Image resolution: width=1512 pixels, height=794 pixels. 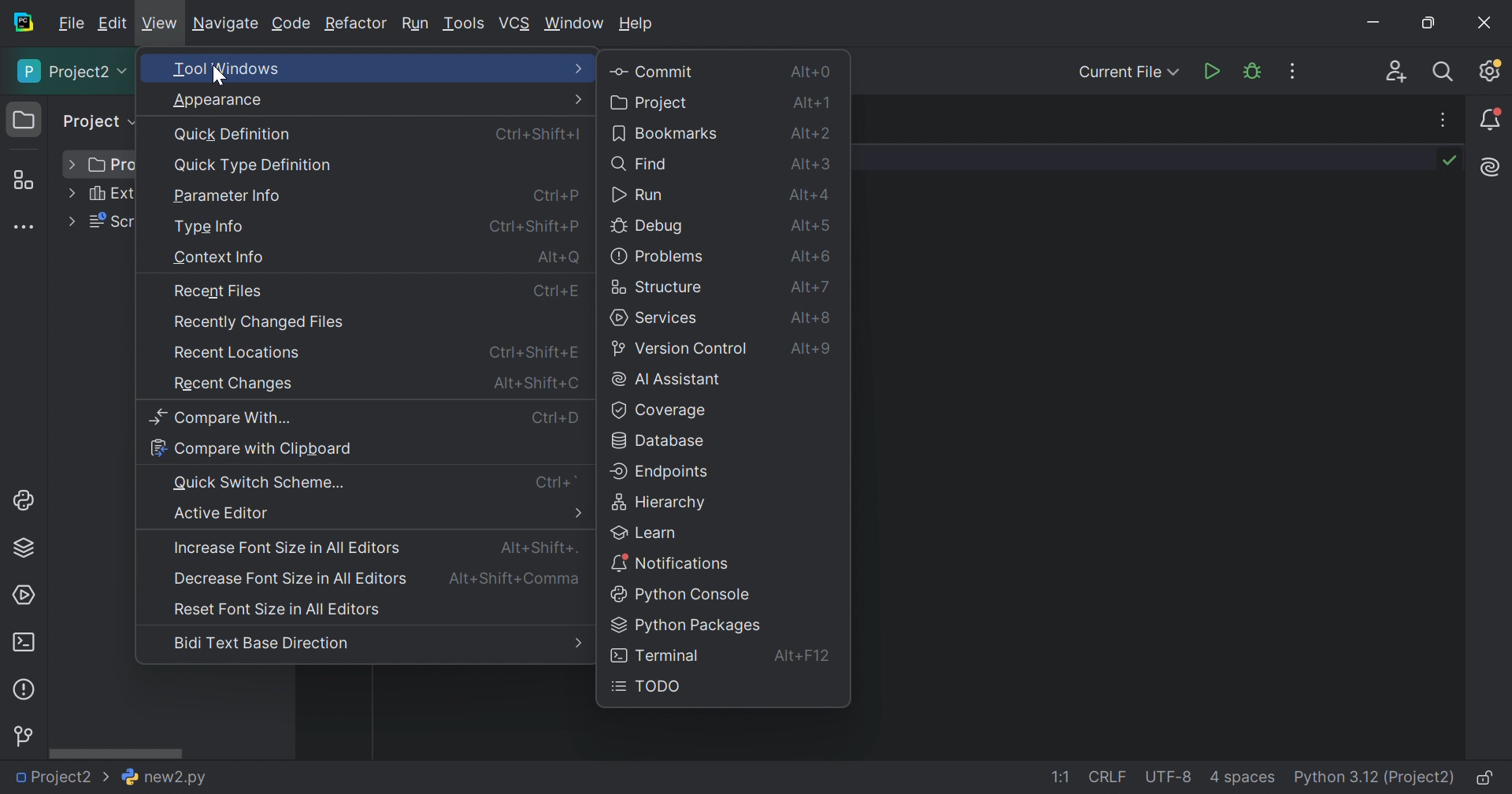 What do you see at coordinates (574, 24) in the screenshot?
I see `Windows` at bounding box center [574, 24].